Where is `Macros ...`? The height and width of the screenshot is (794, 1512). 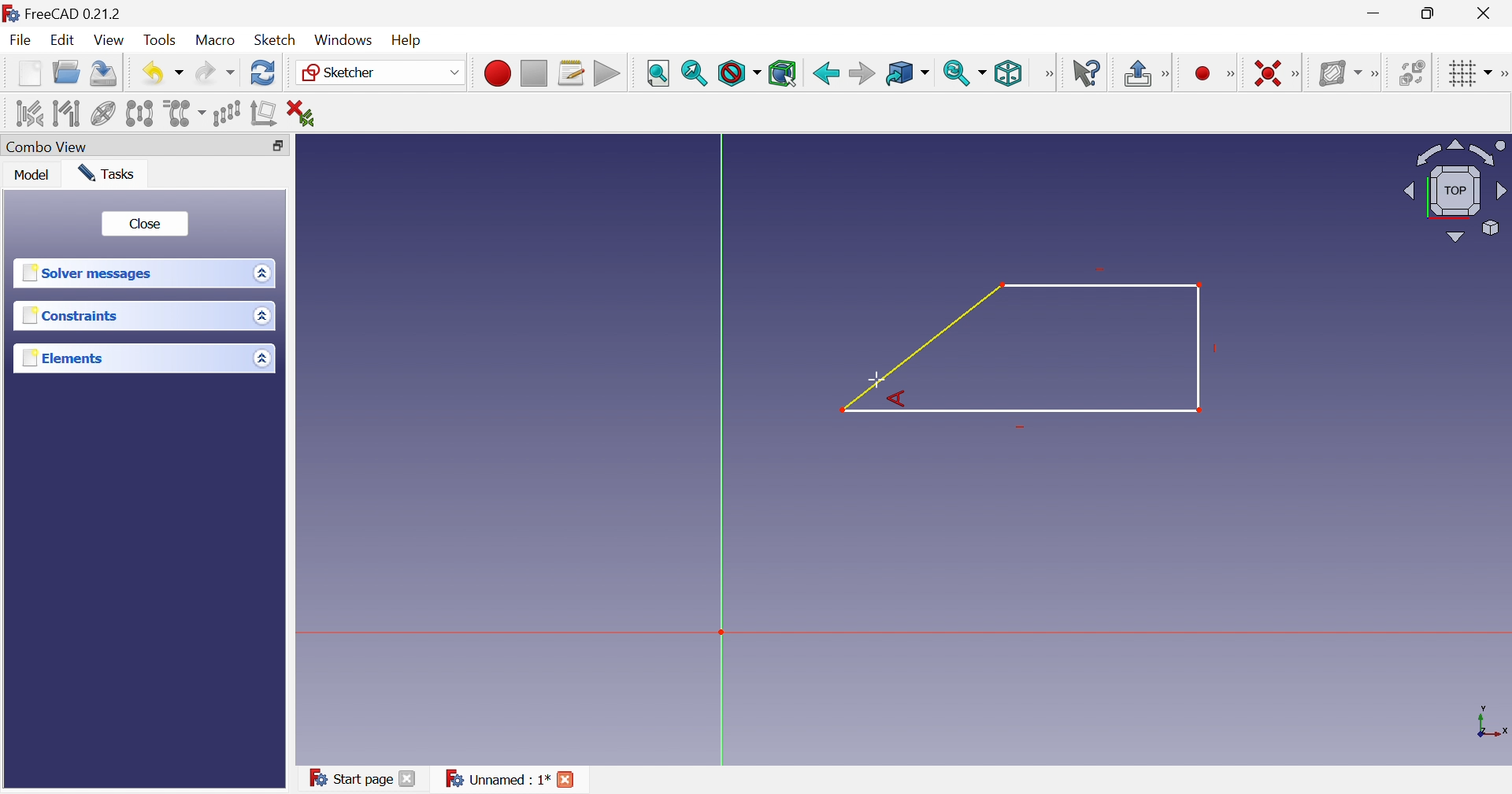 Macros ... is located at coordinates (571, 72).